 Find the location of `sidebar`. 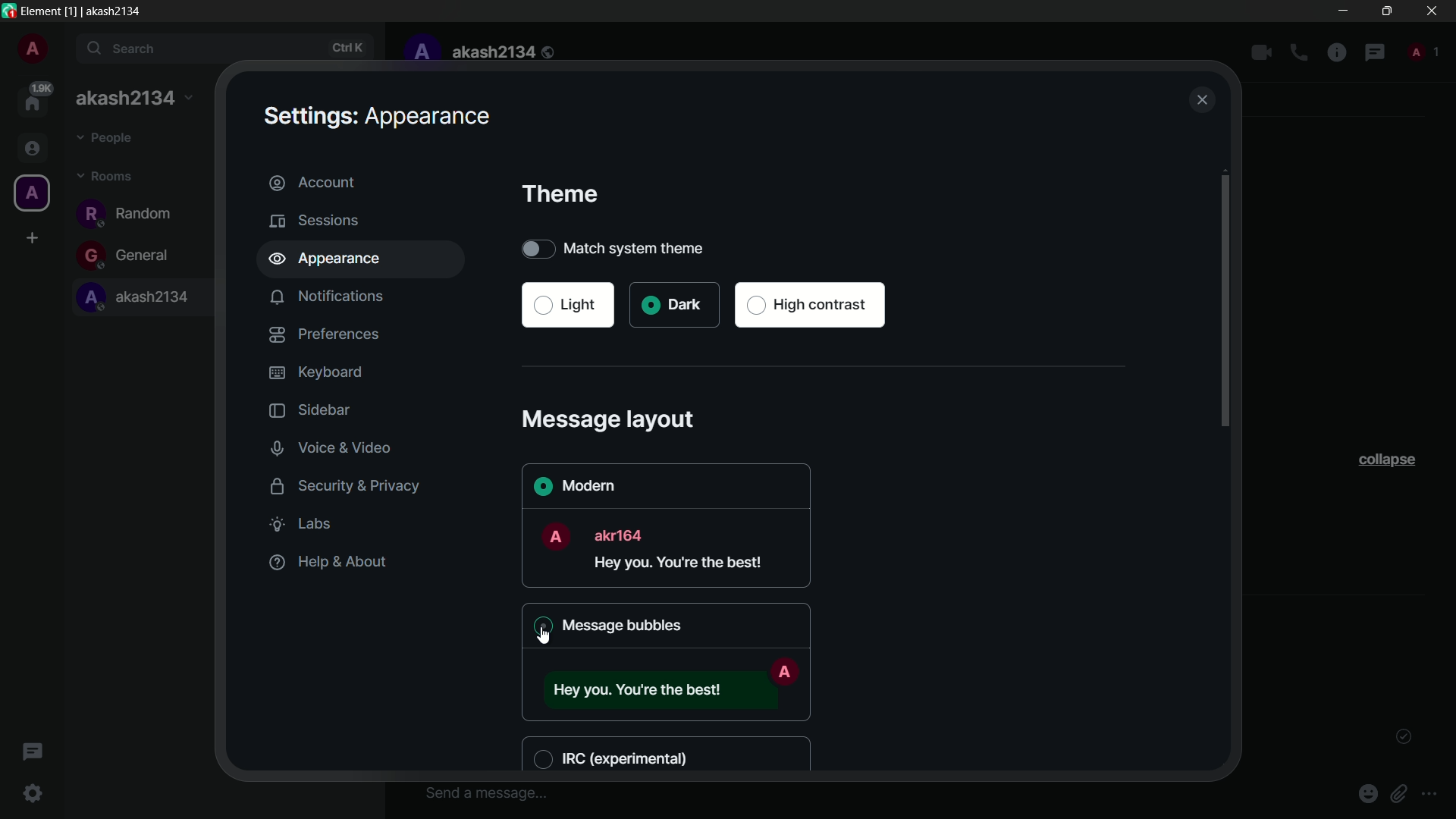

sidebar is located at coordinates (306, 411).